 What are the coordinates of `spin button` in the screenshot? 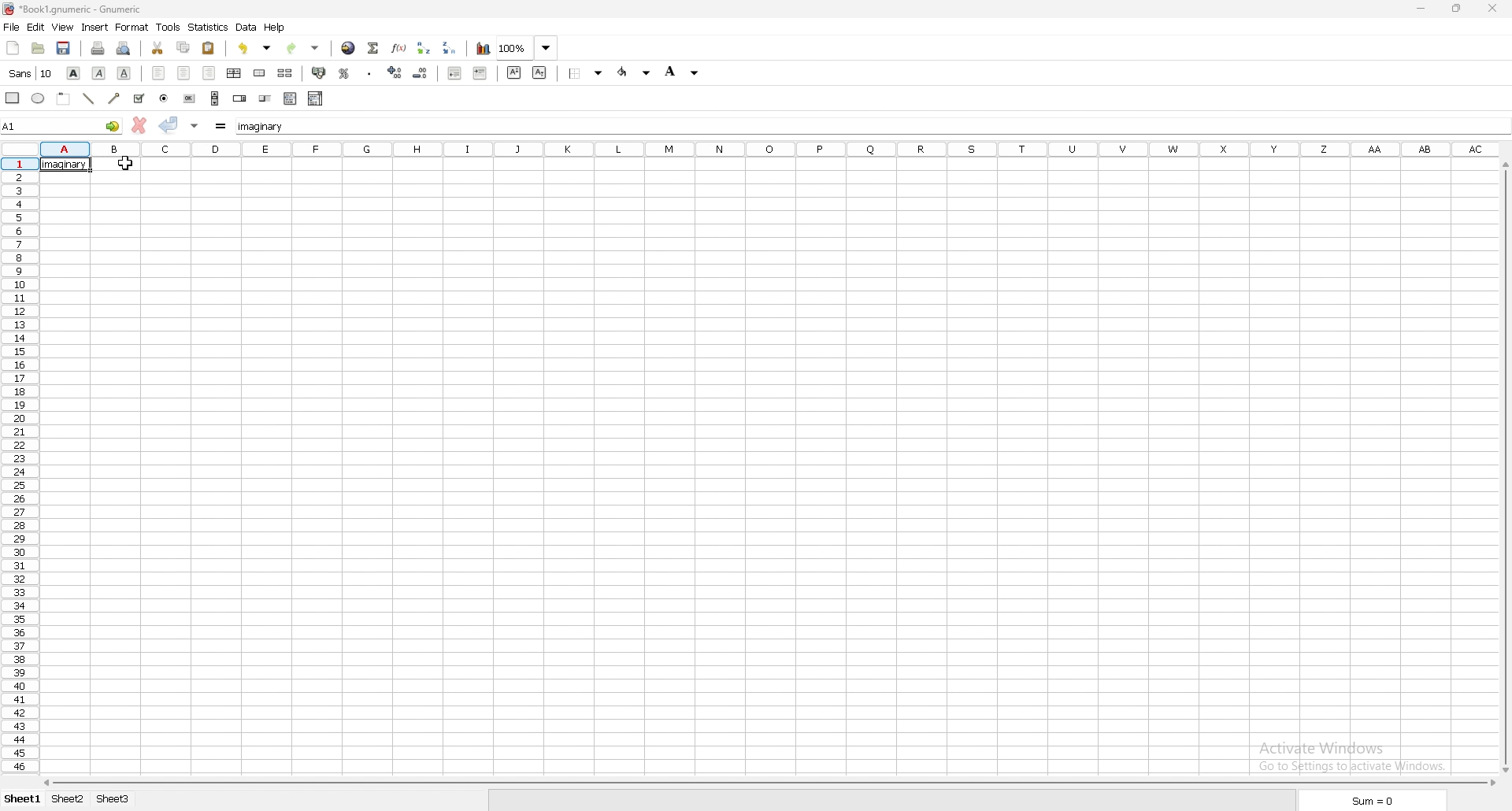 It's located at (239, 98).